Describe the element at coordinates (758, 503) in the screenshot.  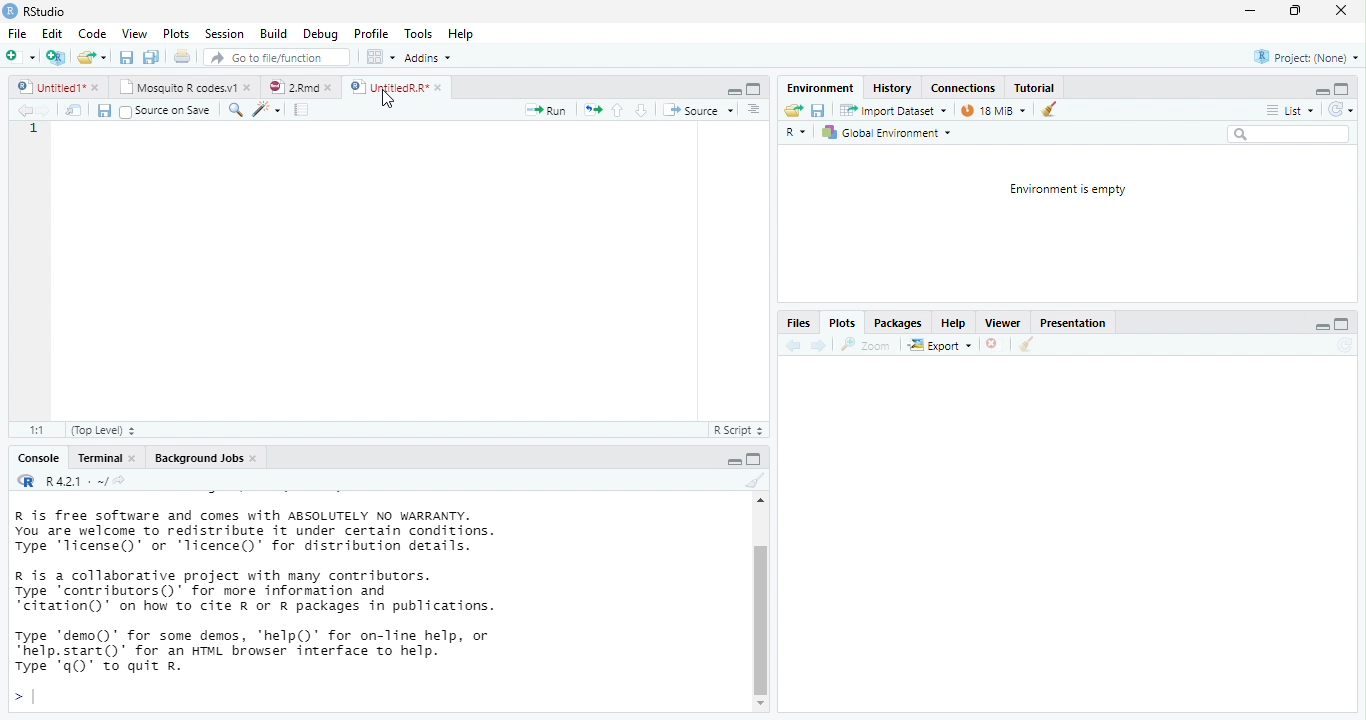
I see `scrollbar up` at that location.